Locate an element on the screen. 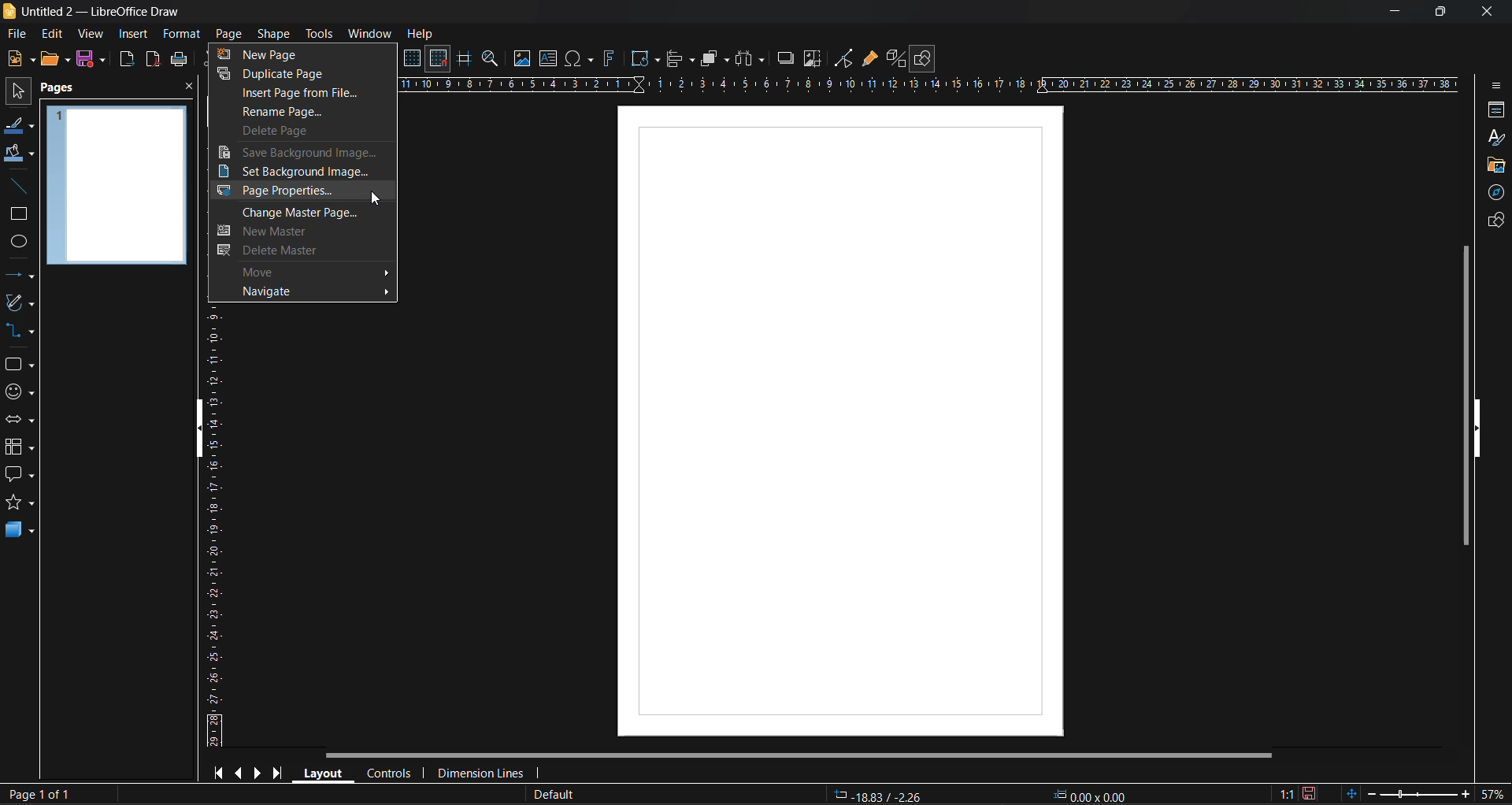 This screenshot has height=805, width=1512. format is located at coordinates (180, 33).